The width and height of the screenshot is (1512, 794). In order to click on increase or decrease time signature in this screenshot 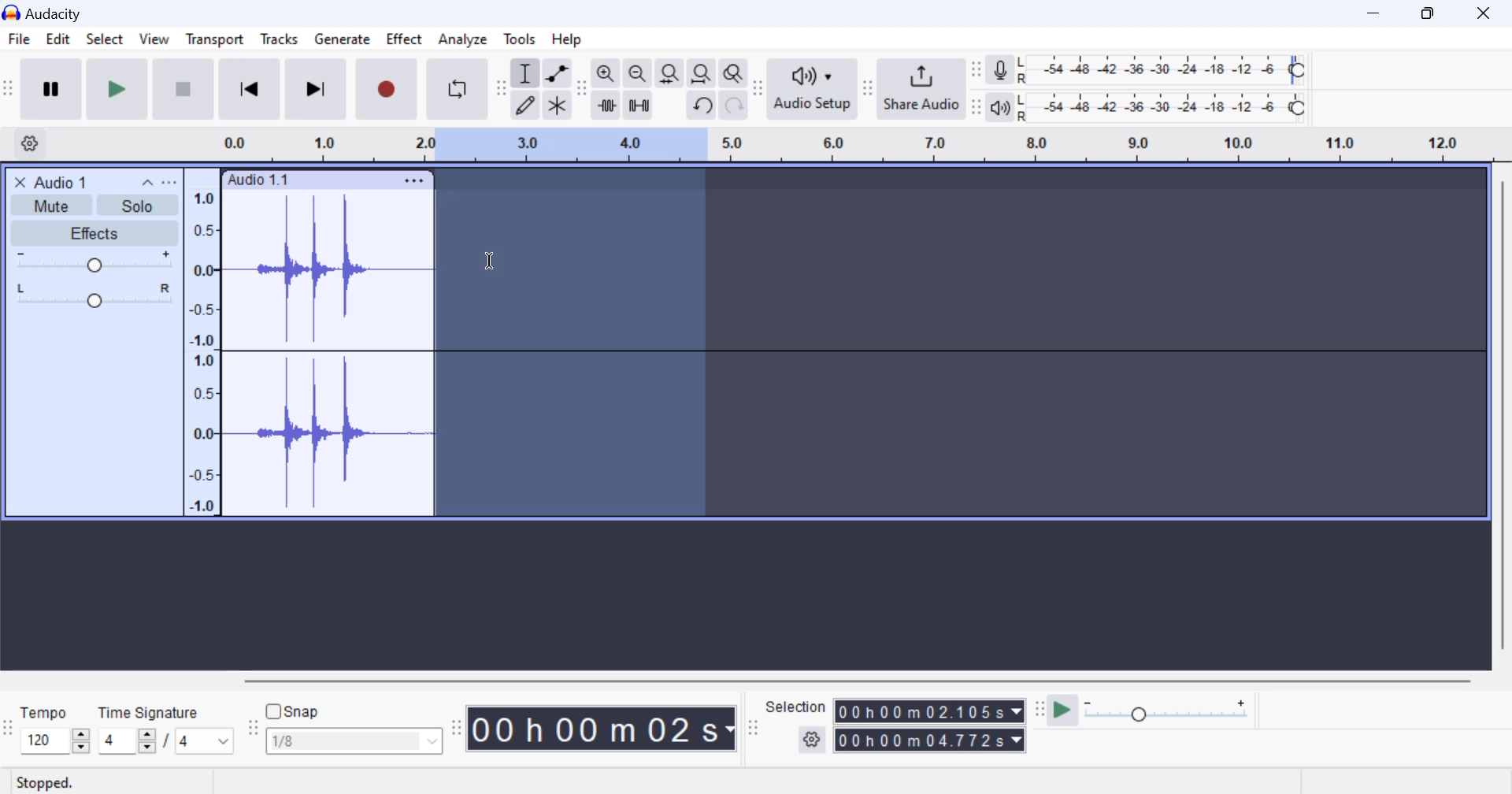, I will do `click(127, 741)`.